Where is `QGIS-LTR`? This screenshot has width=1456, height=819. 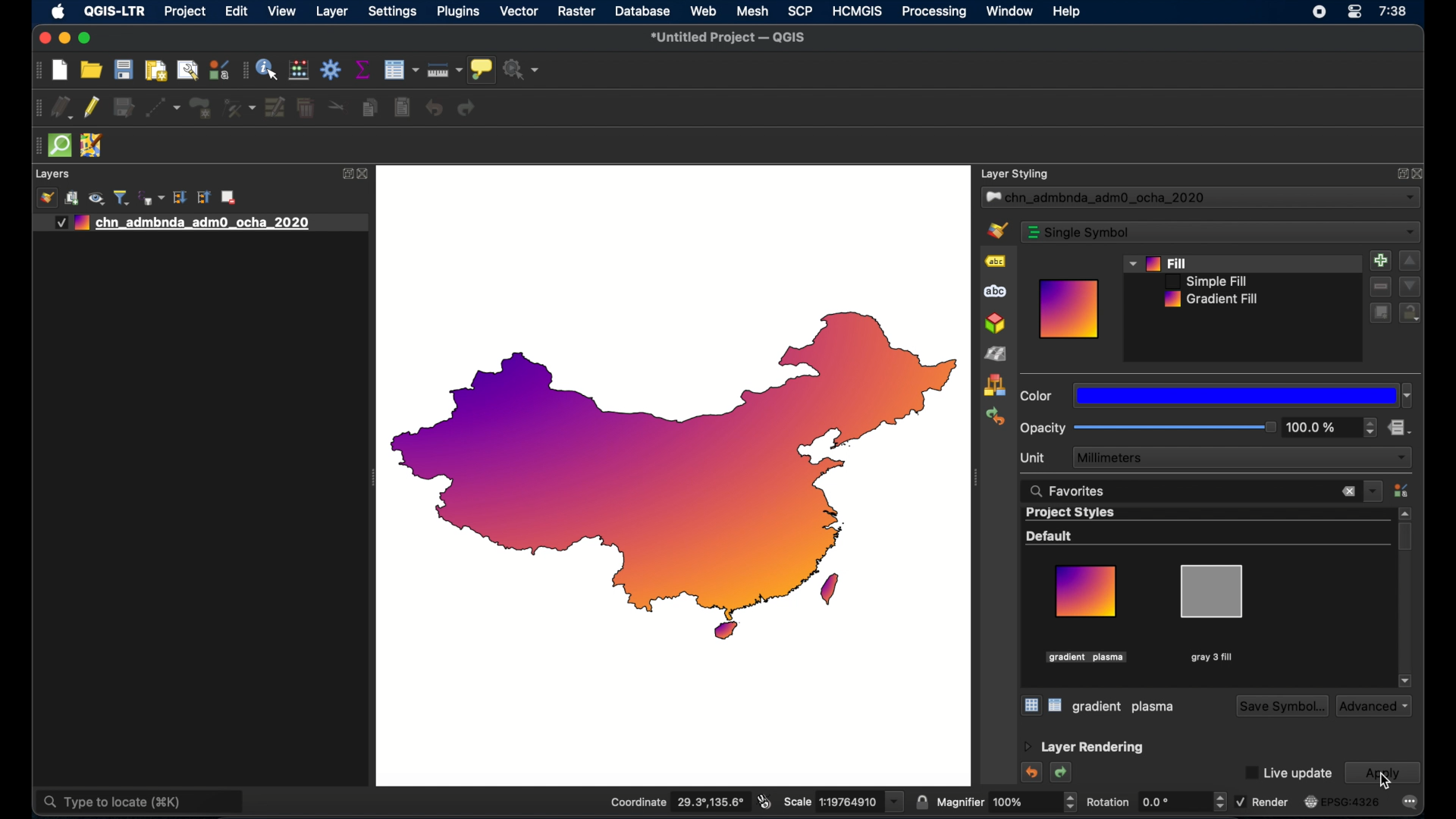
QGIS-LTR is located at coordinates (115, 12).